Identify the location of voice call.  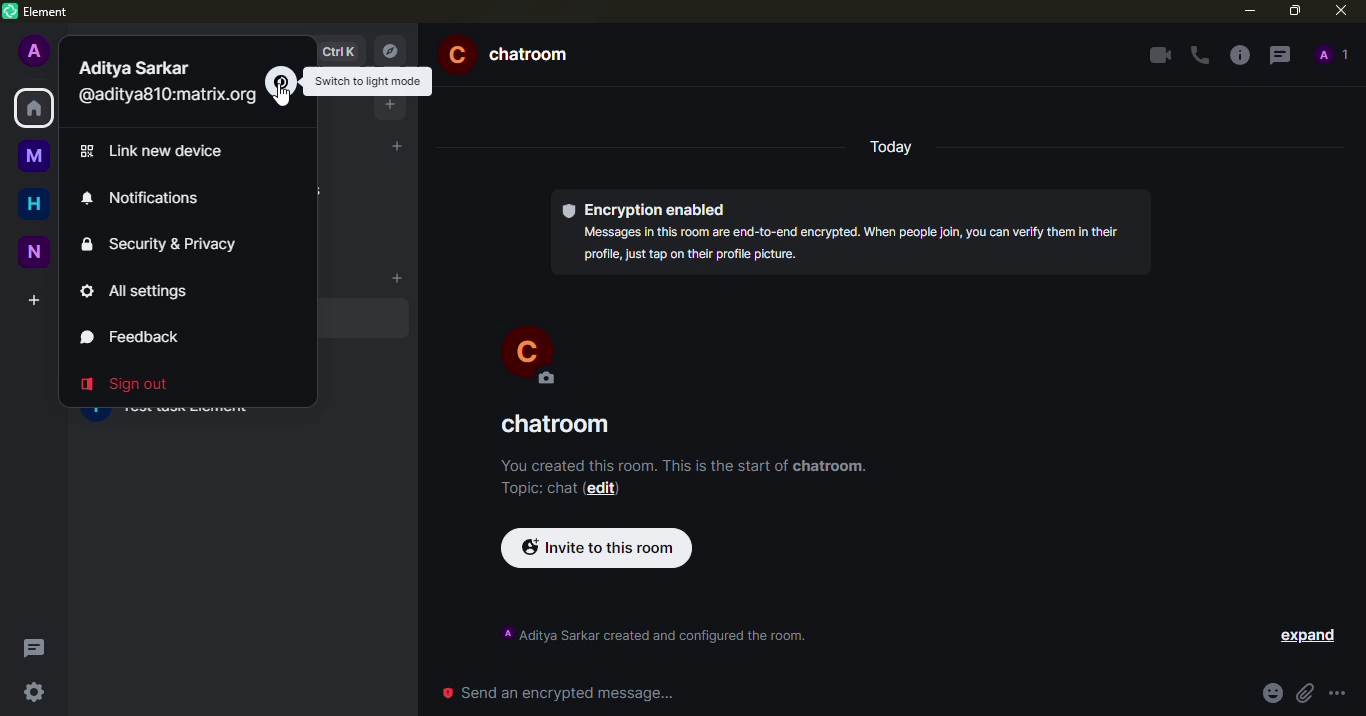
(1198, 54).